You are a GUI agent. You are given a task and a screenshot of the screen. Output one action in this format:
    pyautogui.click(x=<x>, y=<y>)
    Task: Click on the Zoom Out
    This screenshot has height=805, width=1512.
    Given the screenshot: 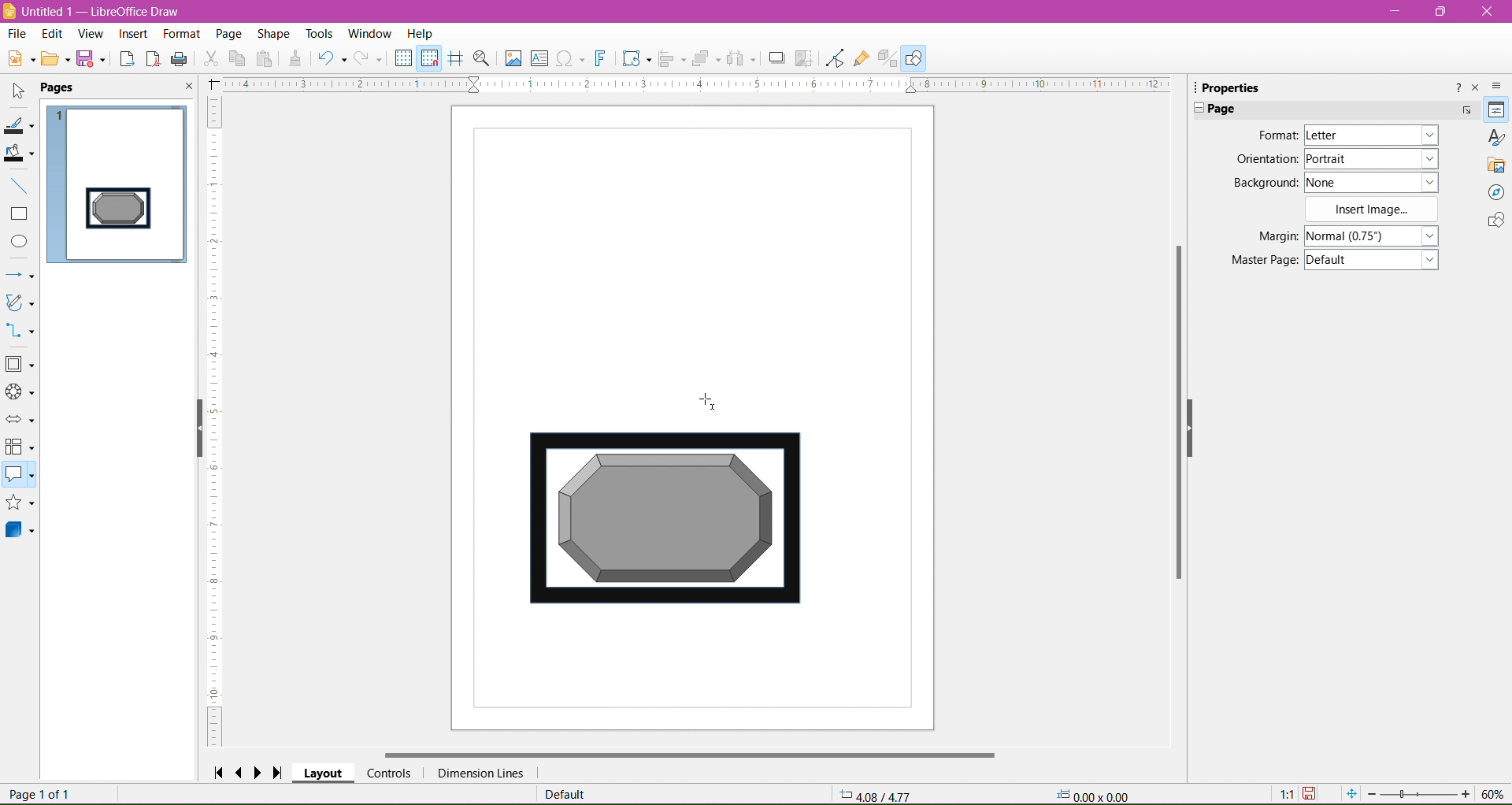 What is the action you would take?
    pyautogui.click(x=1371, y=793)
    